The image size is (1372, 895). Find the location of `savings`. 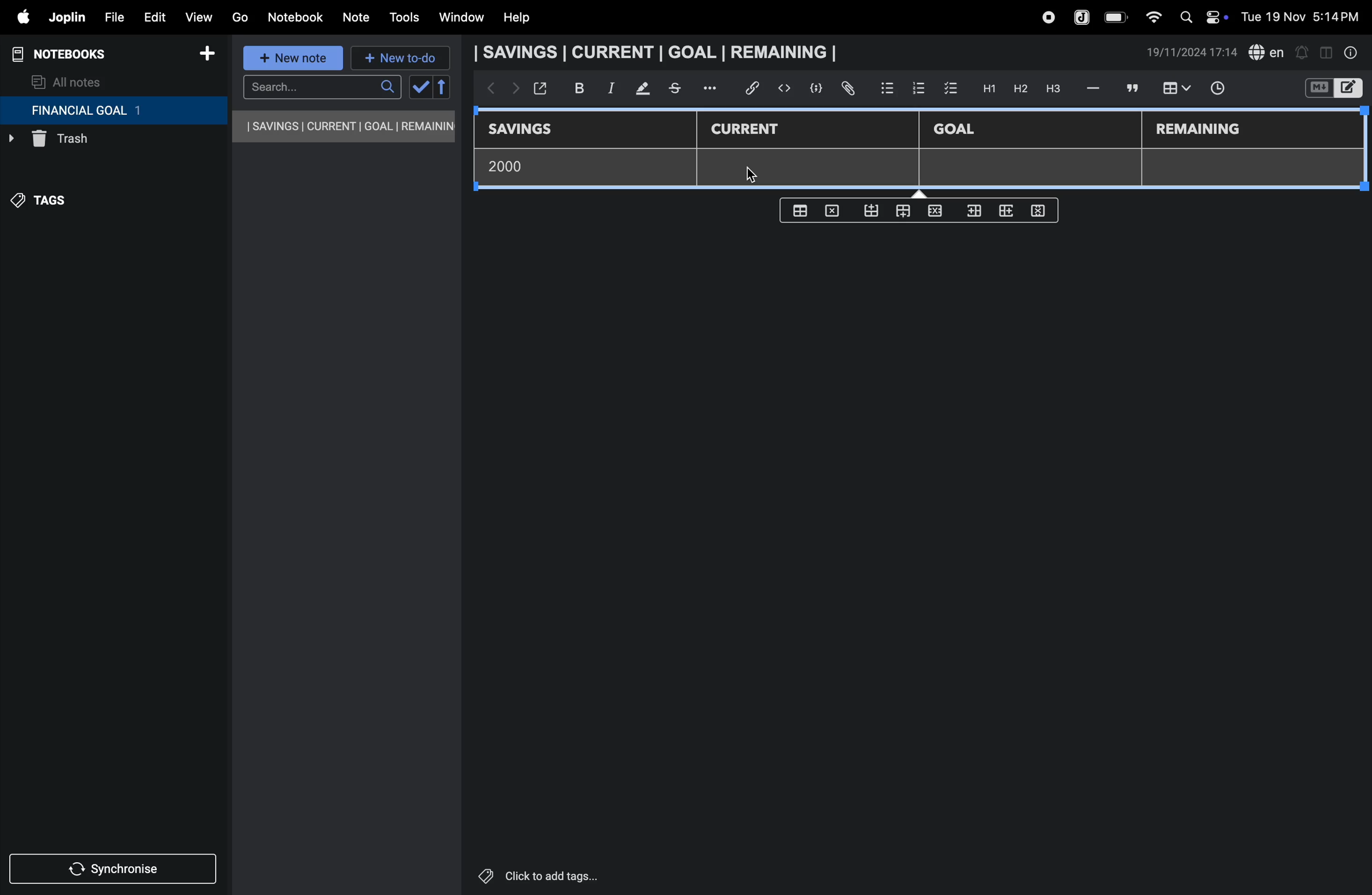

savings is located at coordinates (529, 130).